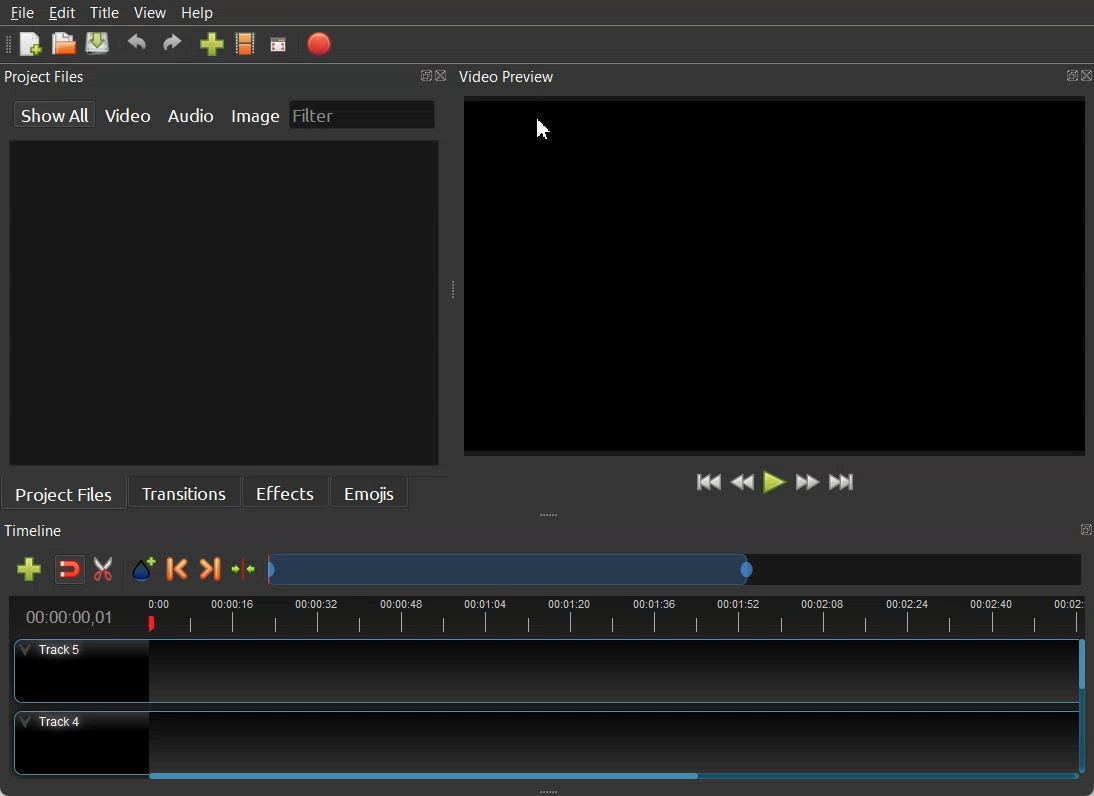  What do you see at coordinates (177, 569) in the screenshot?
I see `Previous Marker` at bounding box center [177, 569].